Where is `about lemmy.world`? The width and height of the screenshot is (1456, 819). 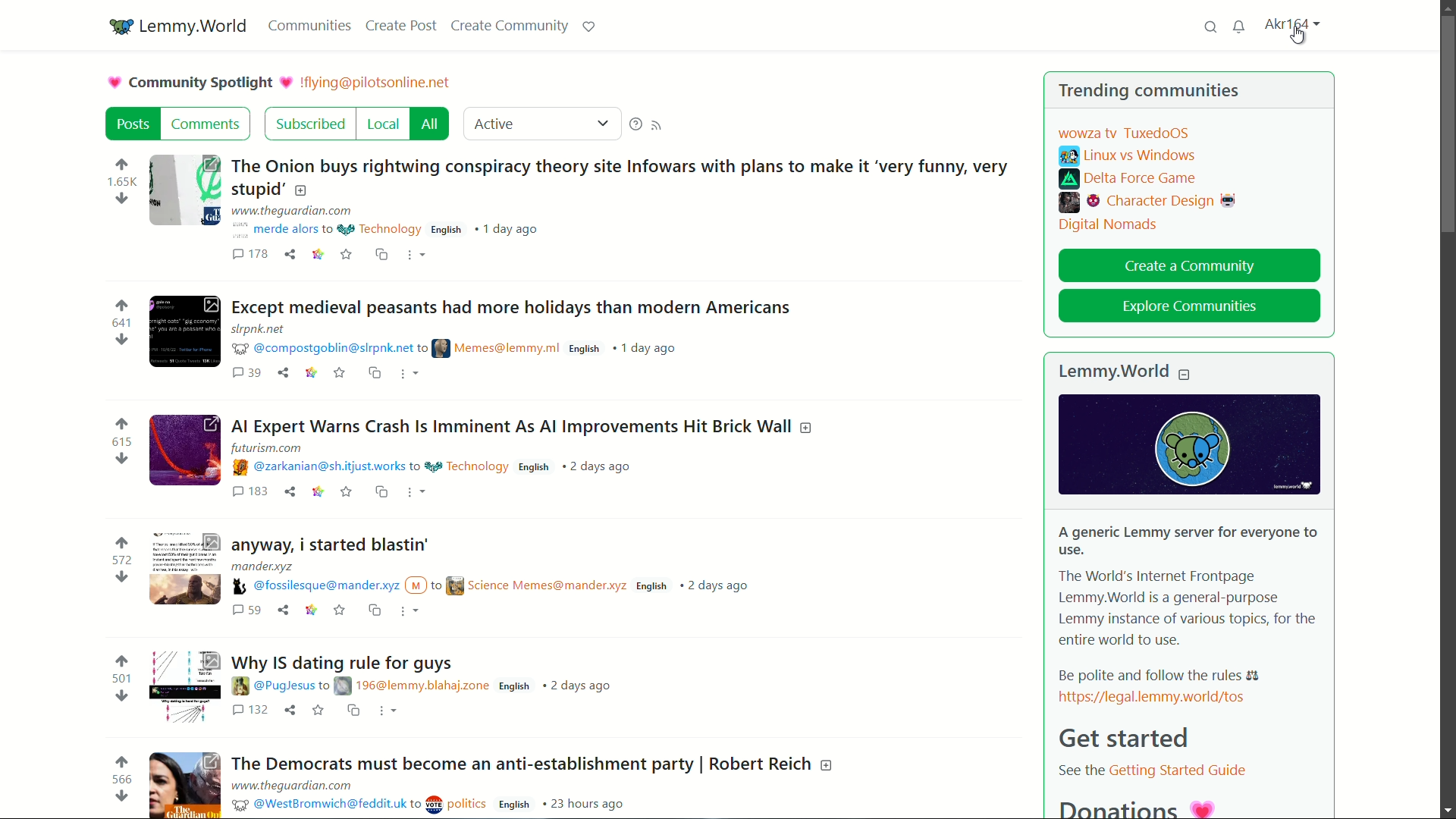
about lemmy.world is located at coordinates (1189, 603).